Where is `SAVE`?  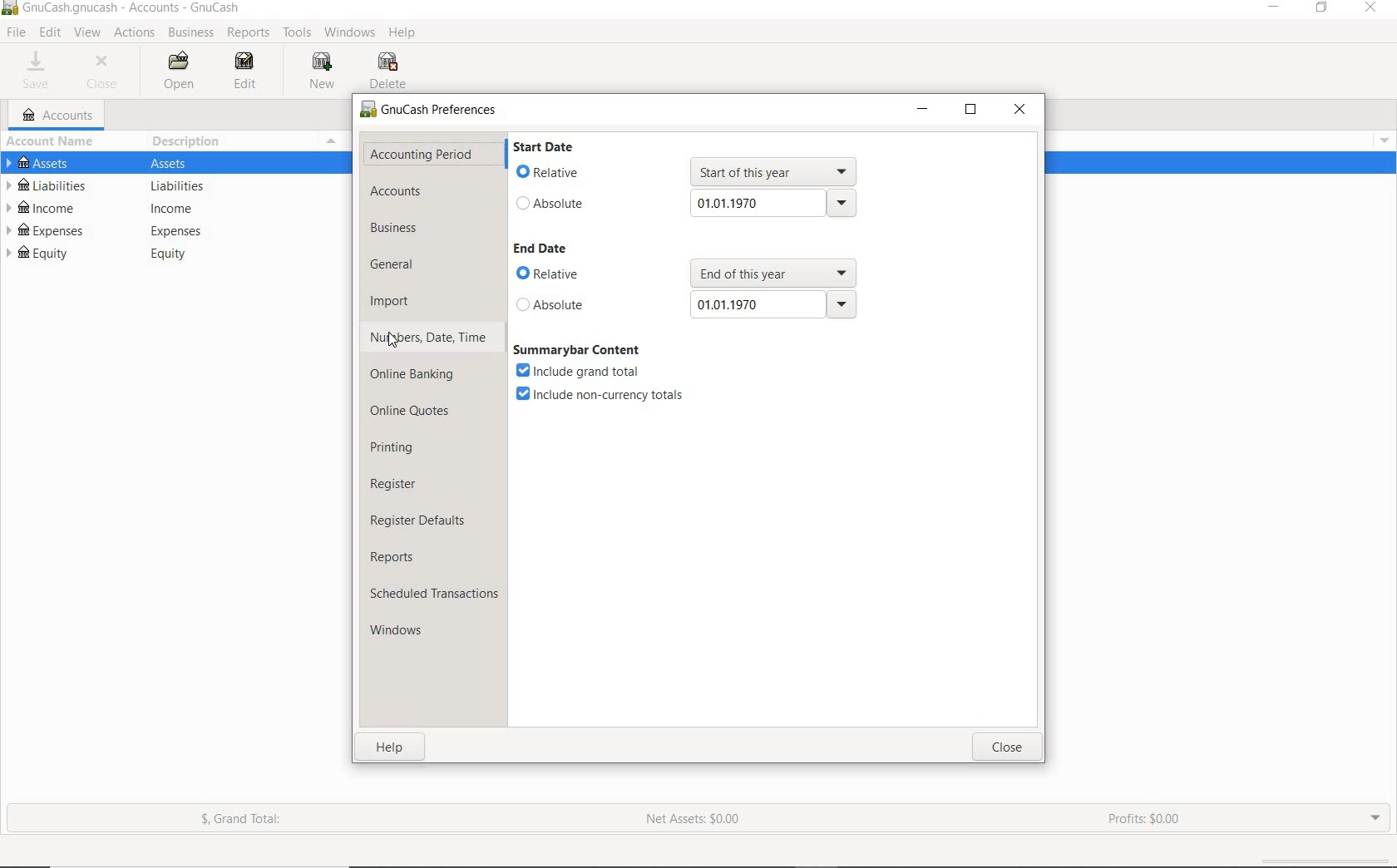 SAVE is located at coordinates (41, 71).